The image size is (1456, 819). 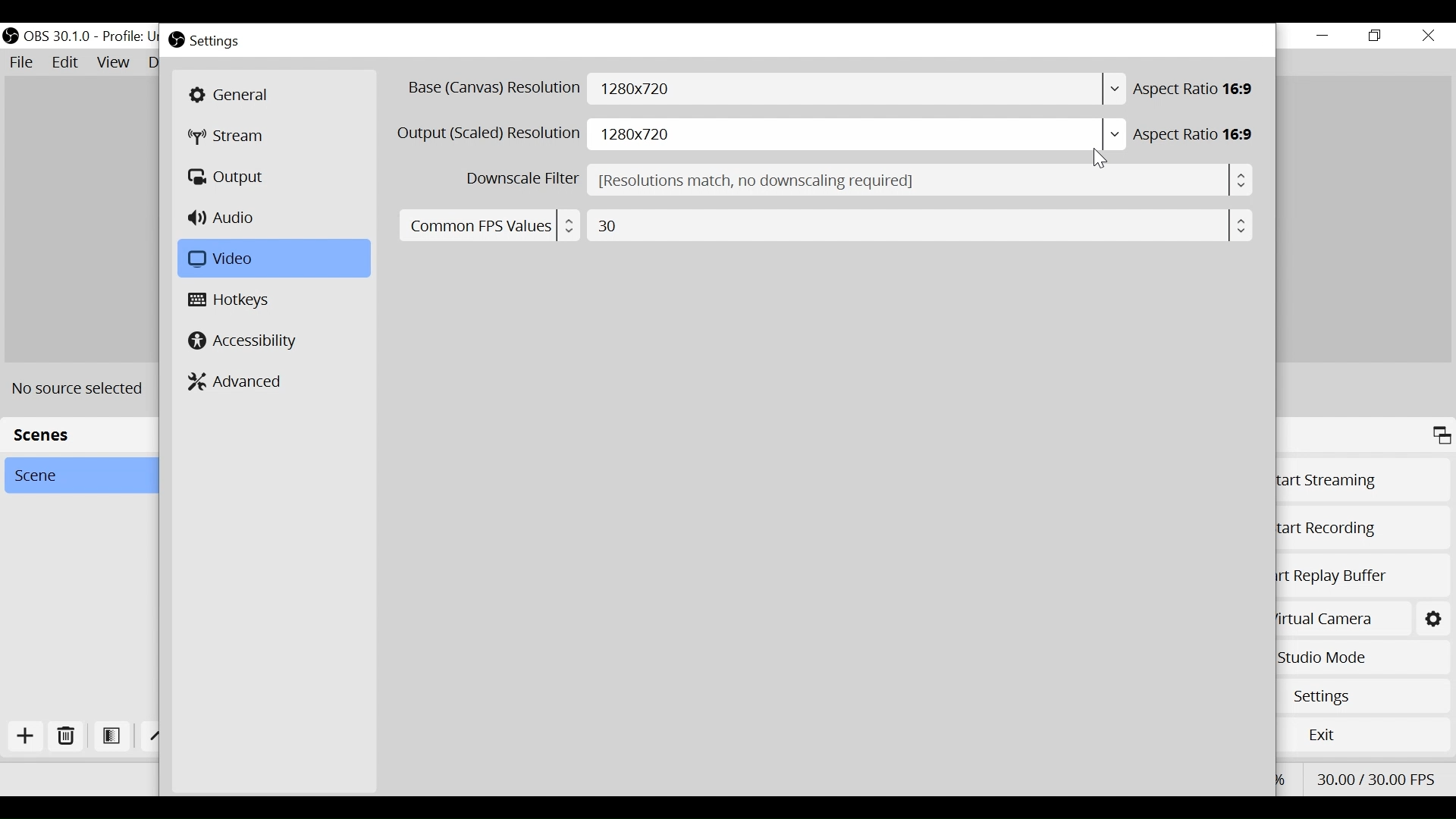 I want to click on Downscale Filter, so click(x=519, y=179).